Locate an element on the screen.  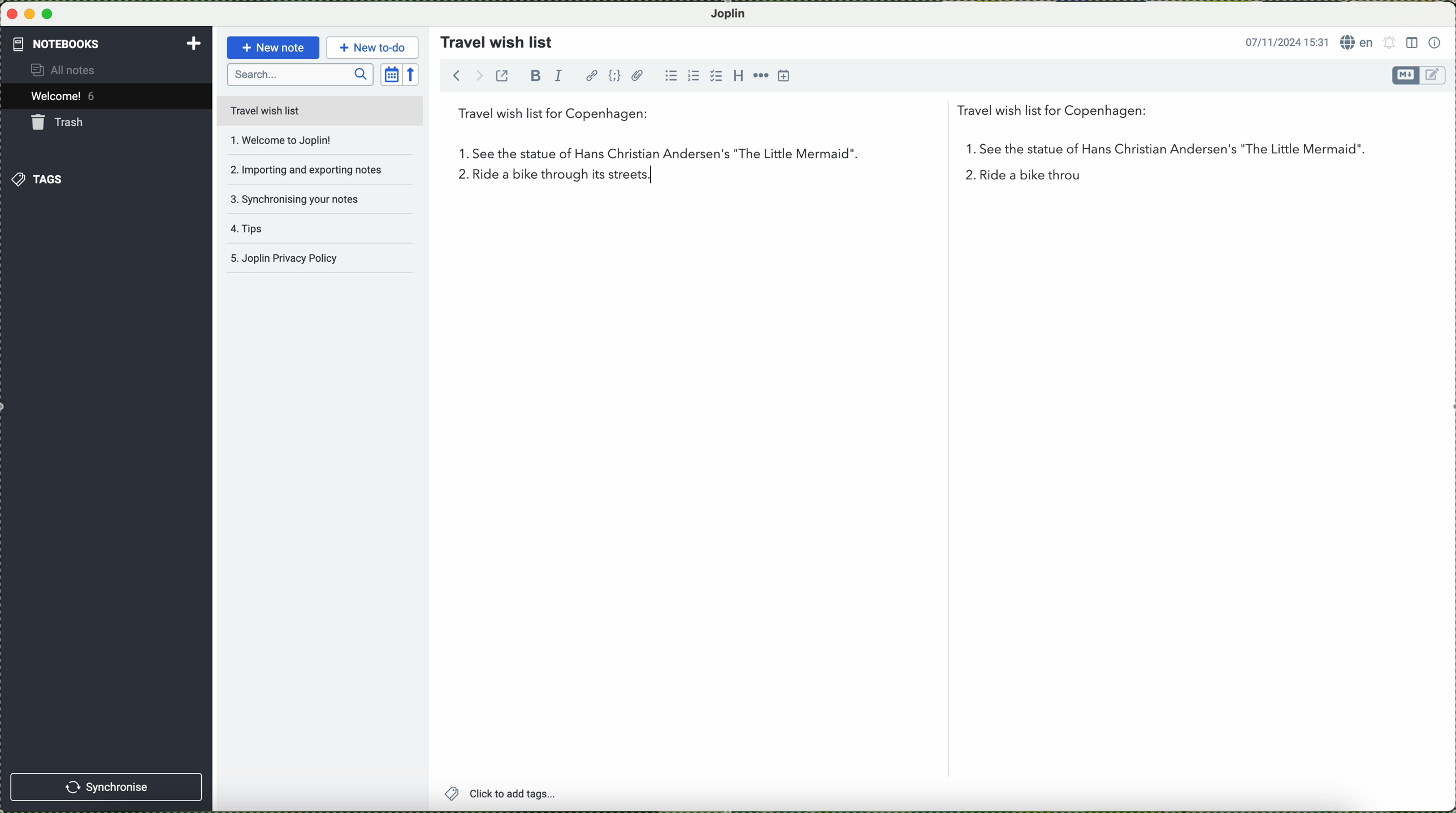
bold is located at coordinates (536, 75).